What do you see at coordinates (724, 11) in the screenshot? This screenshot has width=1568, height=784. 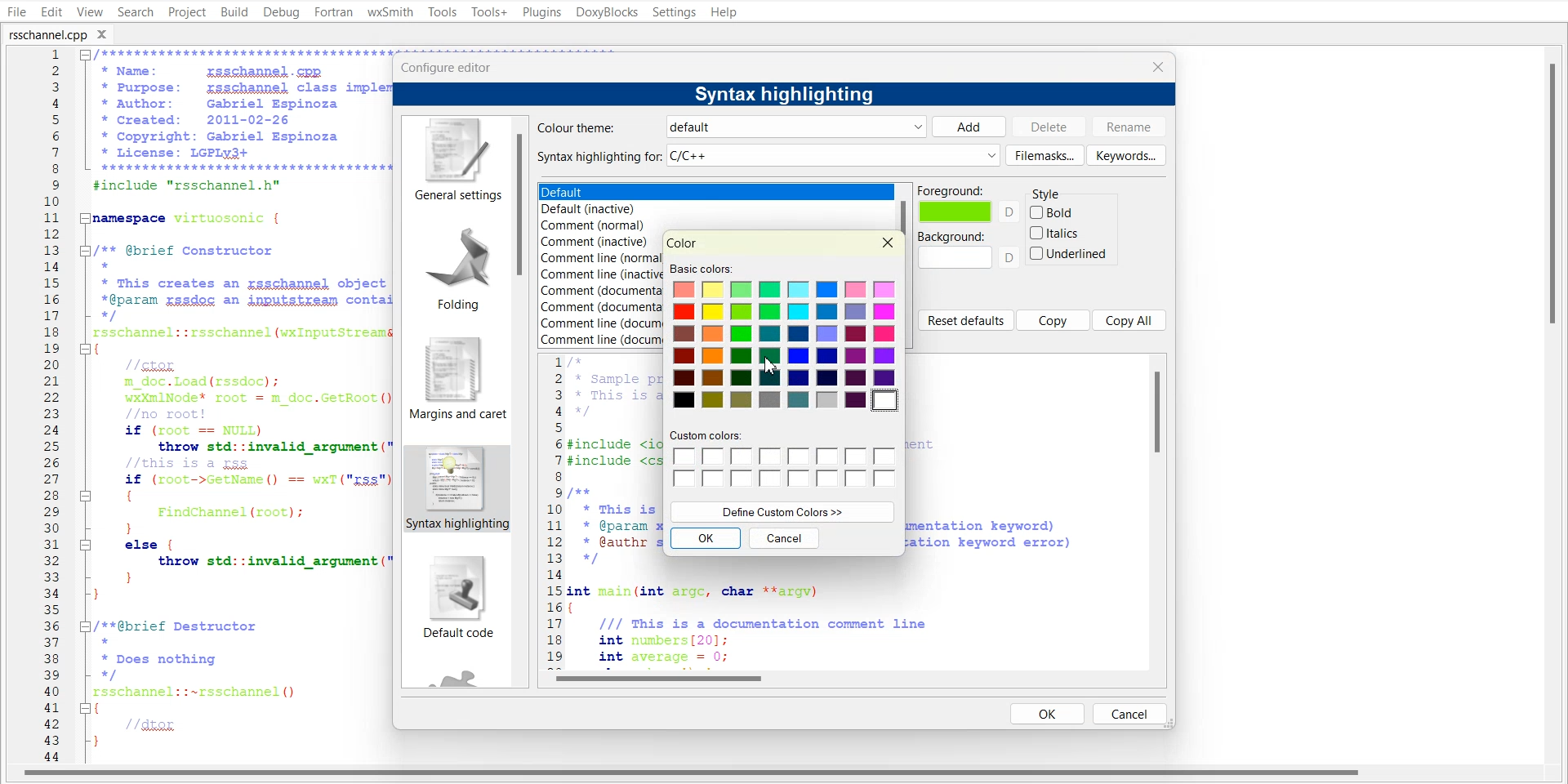 I see `Help` at bounding box center [724, 11].